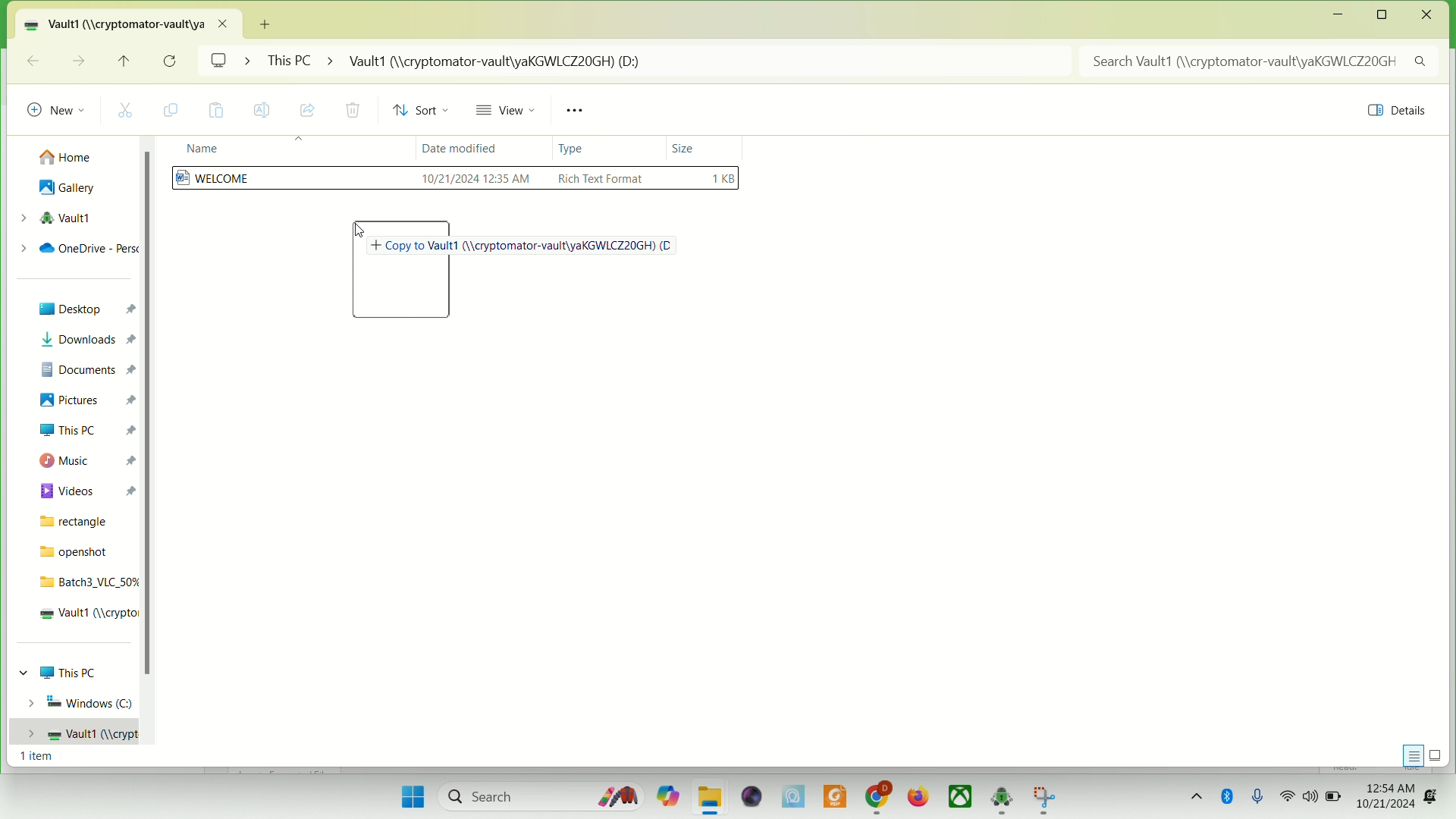 The height and width of the screenshot is (819, 1456). What do you see at coordinates (1262, 795) in the screenshot?
I see `microphone` at bounding box center [1262, 795].